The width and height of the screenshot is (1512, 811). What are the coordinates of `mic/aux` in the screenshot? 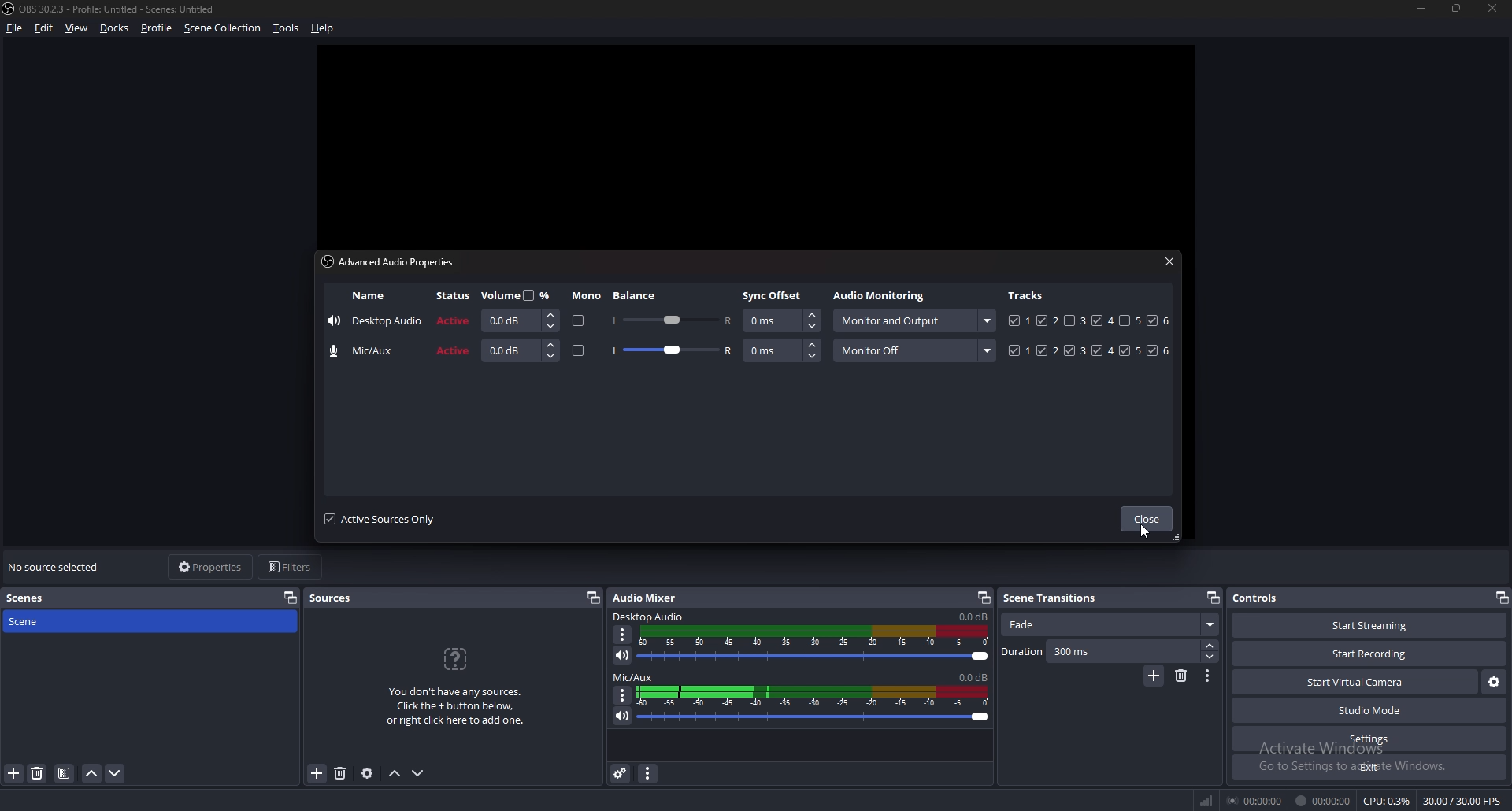 It's located at (367, 351).